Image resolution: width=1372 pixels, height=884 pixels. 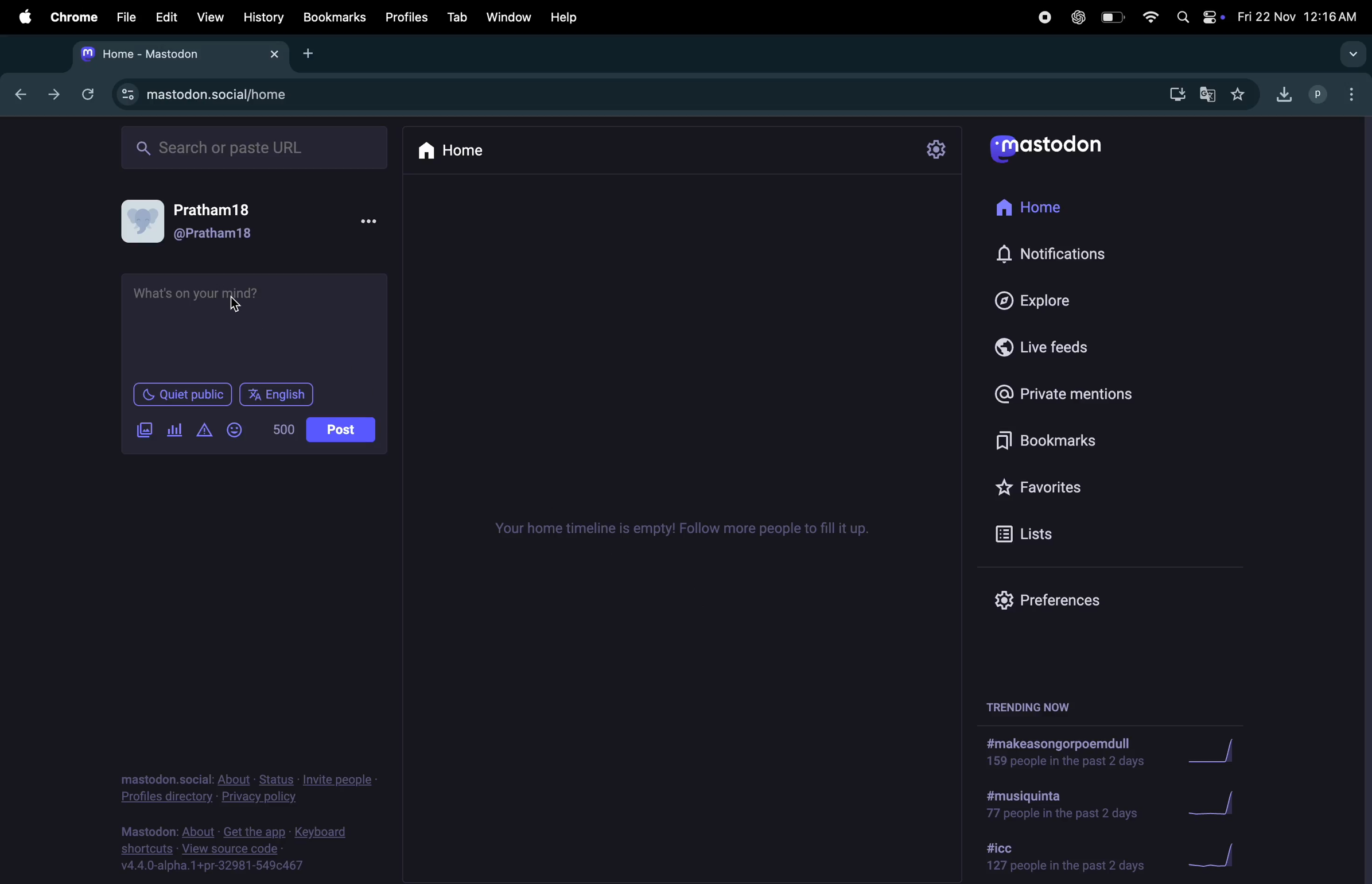 I want to click on hash tag, so click(x=1063, y=805).